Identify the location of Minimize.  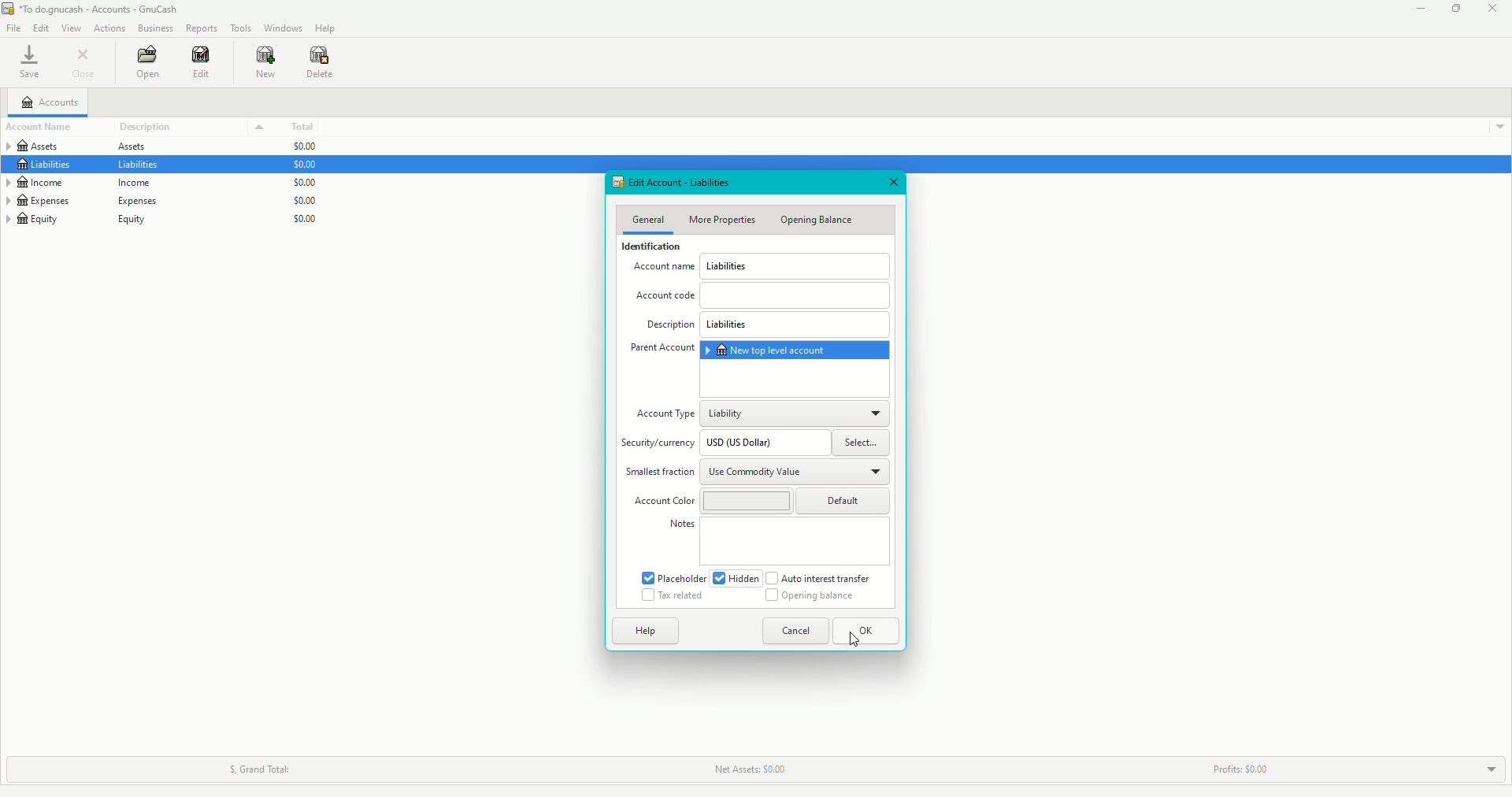
(1416, 9).